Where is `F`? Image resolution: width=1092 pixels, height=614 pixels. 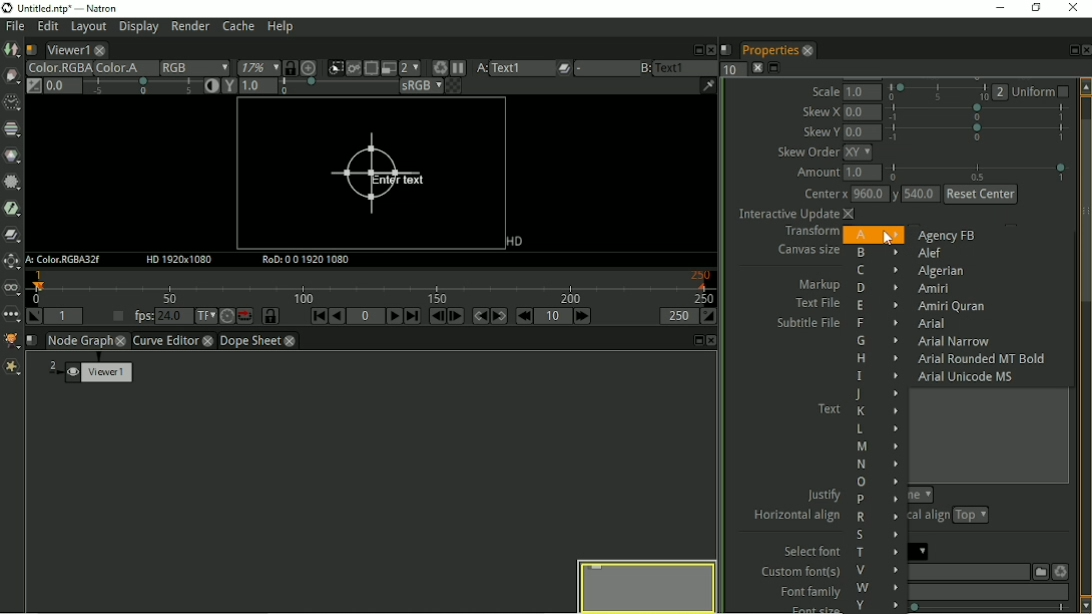 F is located at coordinates (874, 325).